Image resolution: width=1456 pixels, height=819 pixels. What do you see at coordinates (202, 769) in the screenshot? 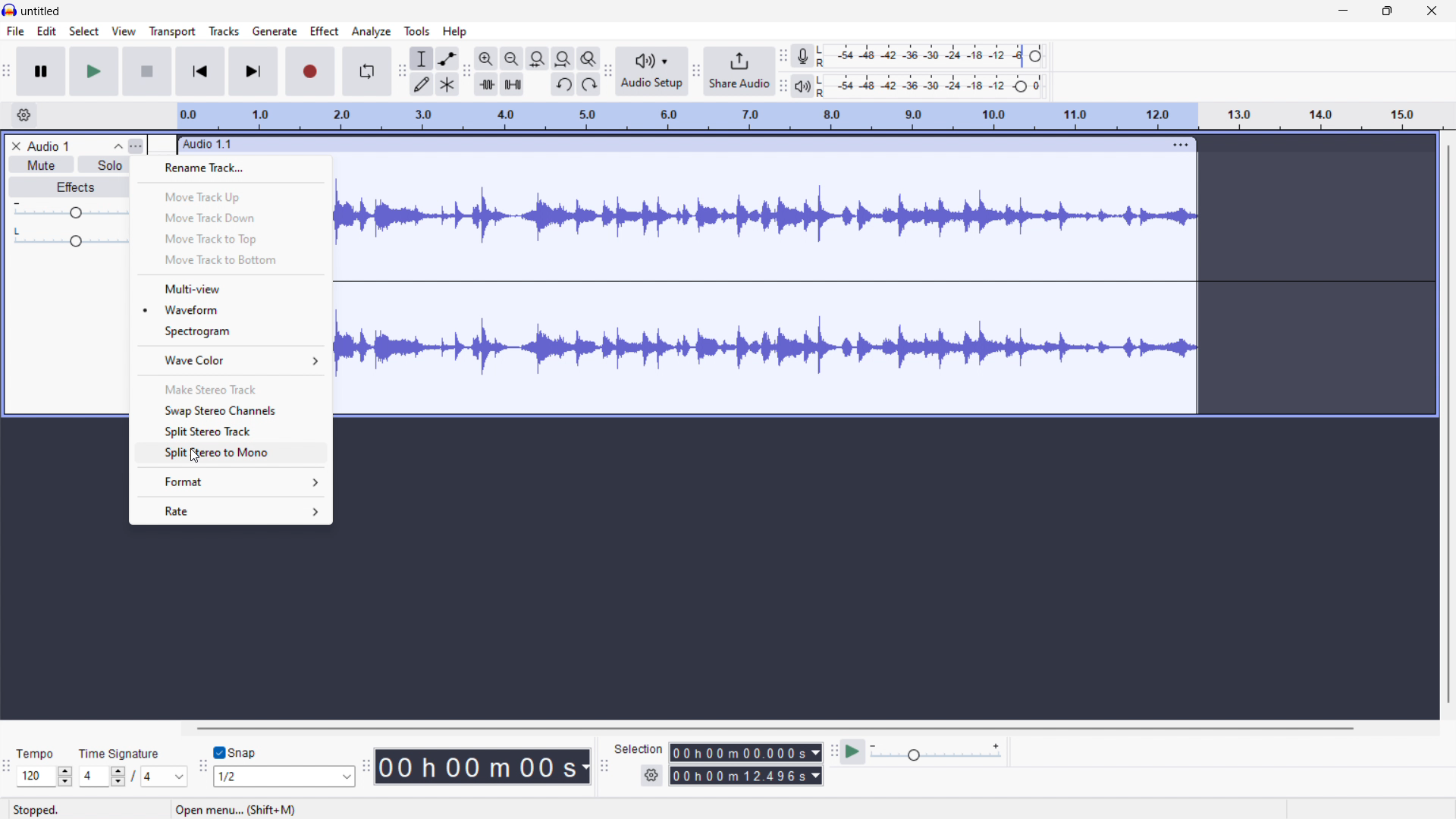
I see `snapping toolbar` at bounding box center [202, 769].